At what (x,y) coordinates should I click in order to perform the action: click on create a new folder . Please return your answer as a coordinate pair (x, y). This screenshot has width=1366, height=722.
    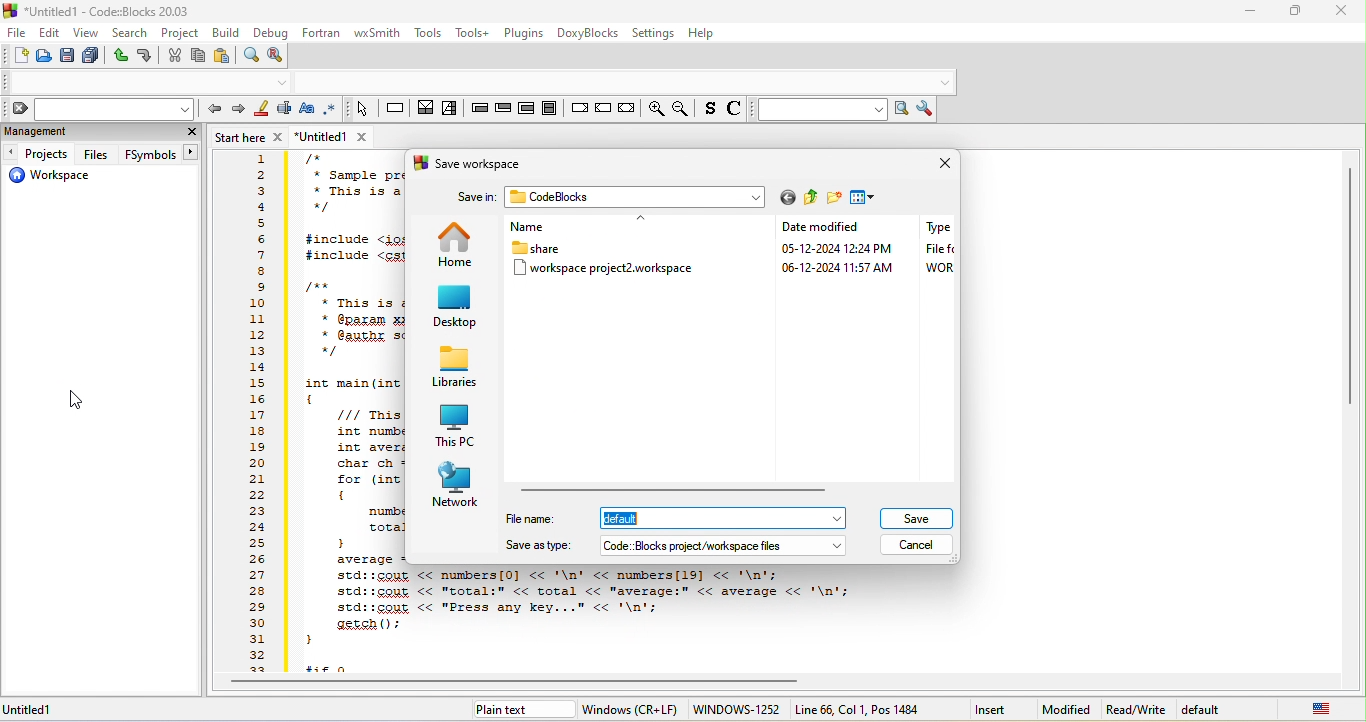
    Looking at the image, I should click on (835, 199).